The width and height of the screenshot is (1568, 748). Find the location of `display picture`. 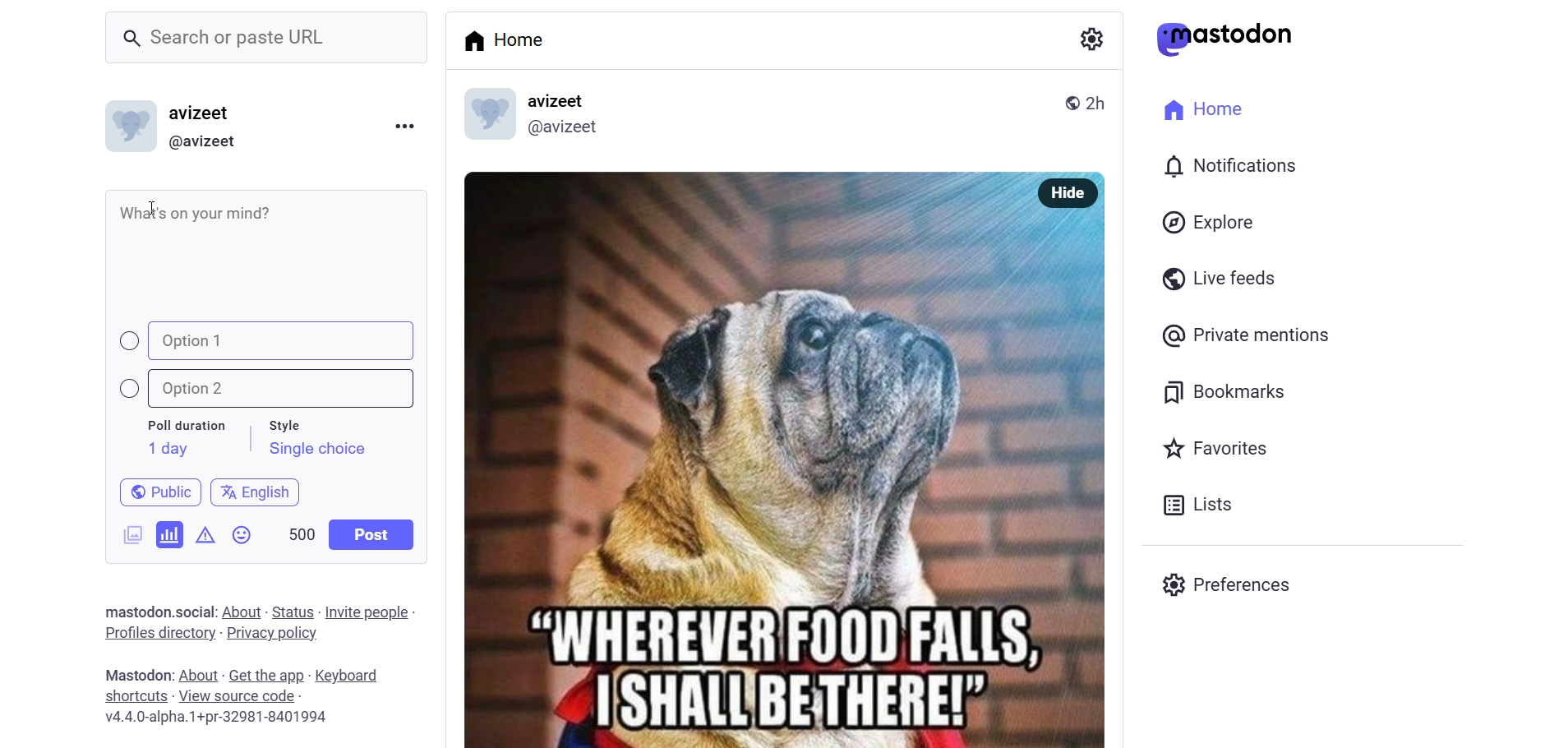

display picture is located at coordinates (481, 116).